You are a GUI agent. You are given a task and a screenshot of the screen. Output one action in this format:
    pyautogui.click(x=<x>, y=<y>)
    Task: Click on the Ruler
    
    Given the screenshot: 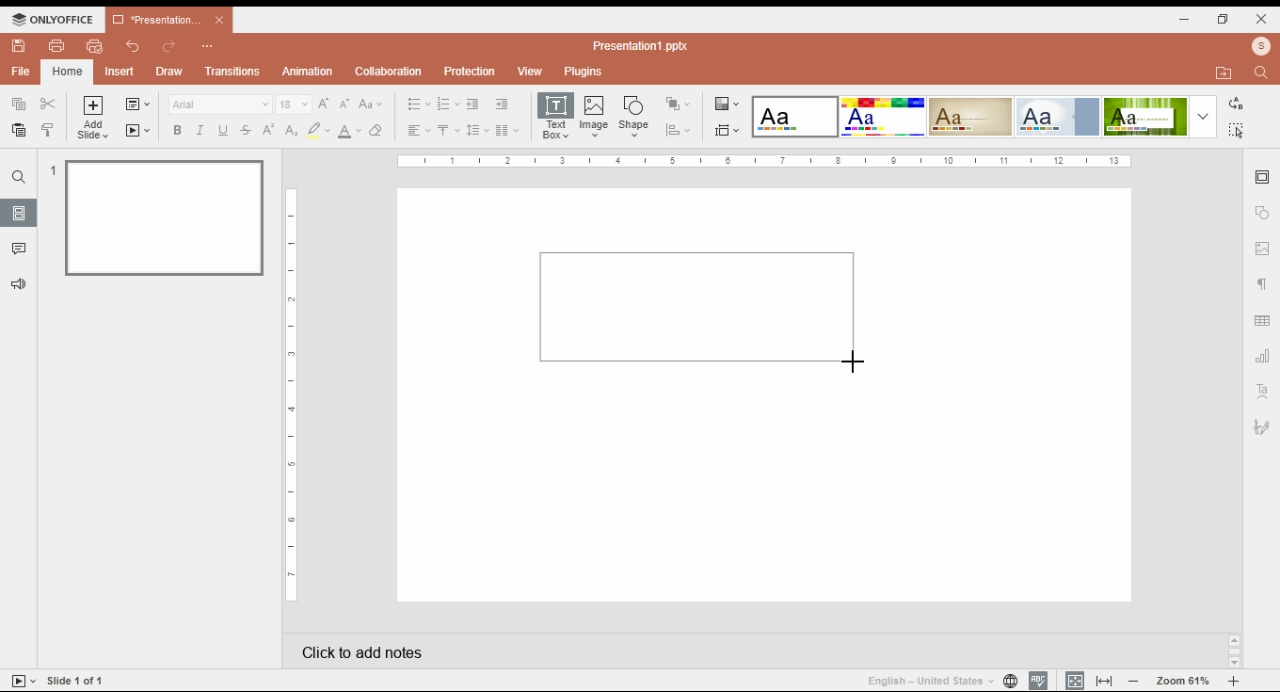 What is the action you would take?
    pyautogui.click(x=763, y=162)
    